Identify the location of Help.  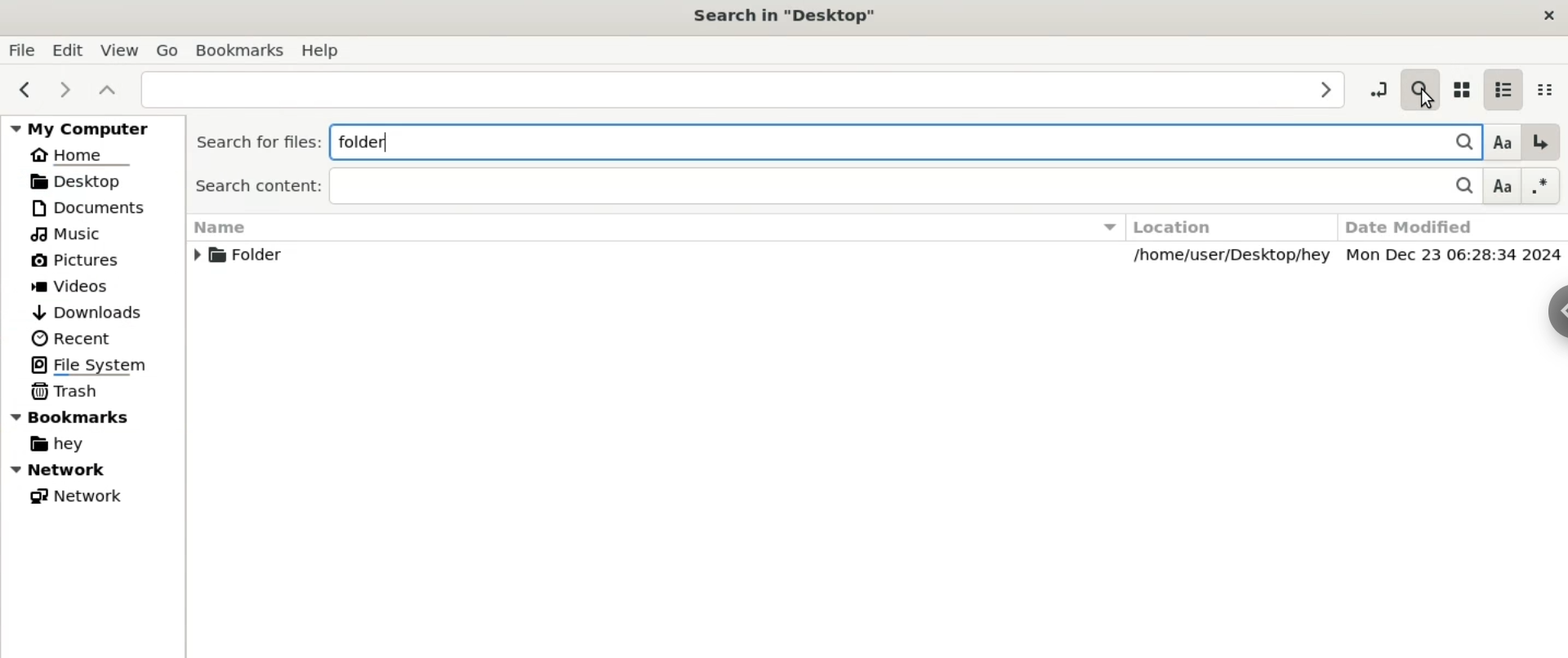
(324, 49).